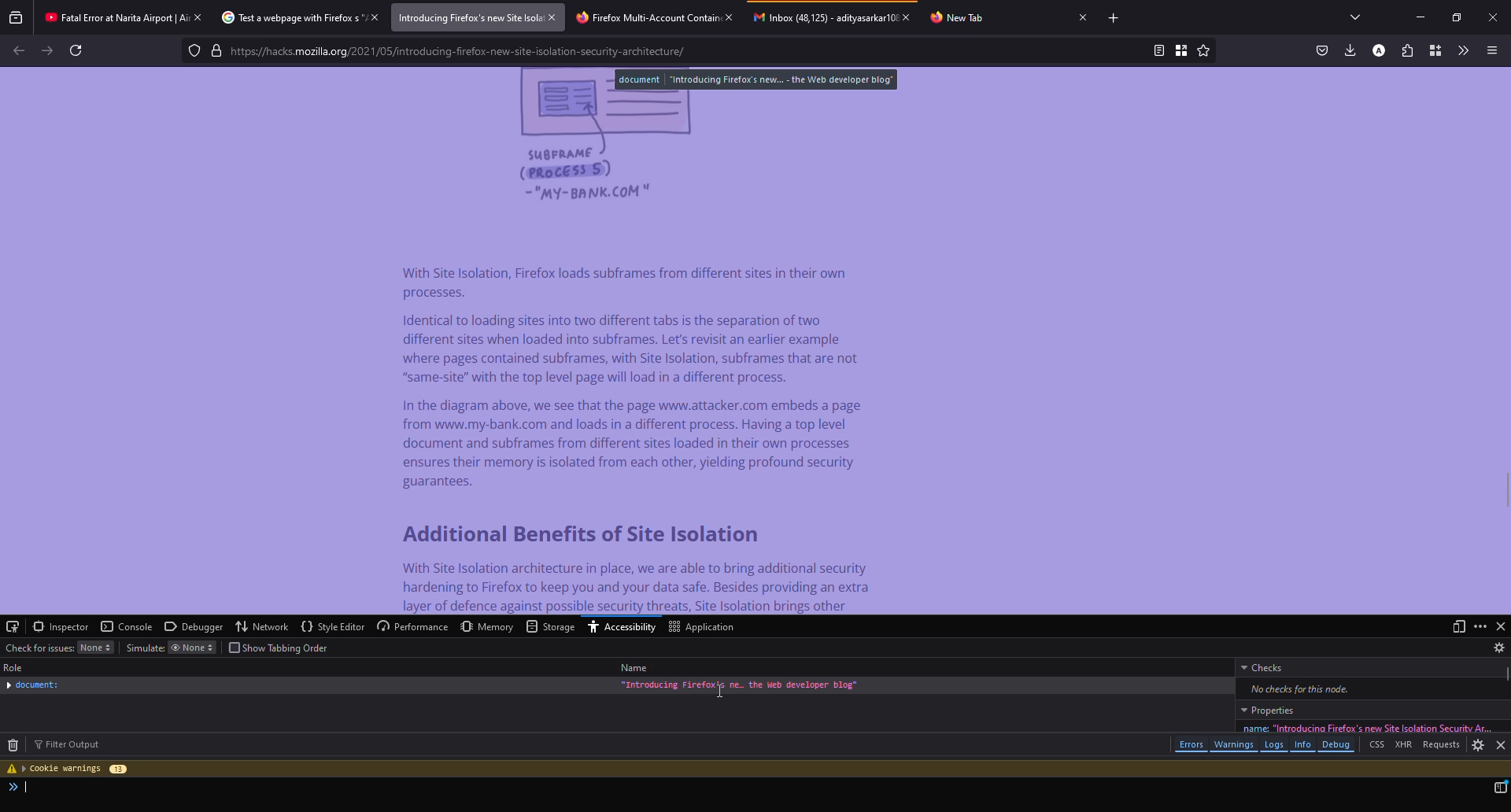 Image resolution: width=1511 pixels, height=812 pixels. What do you see at coordinates (1081, 17) in the screenshot?
I see `close` at bounding box center [1081, 17].